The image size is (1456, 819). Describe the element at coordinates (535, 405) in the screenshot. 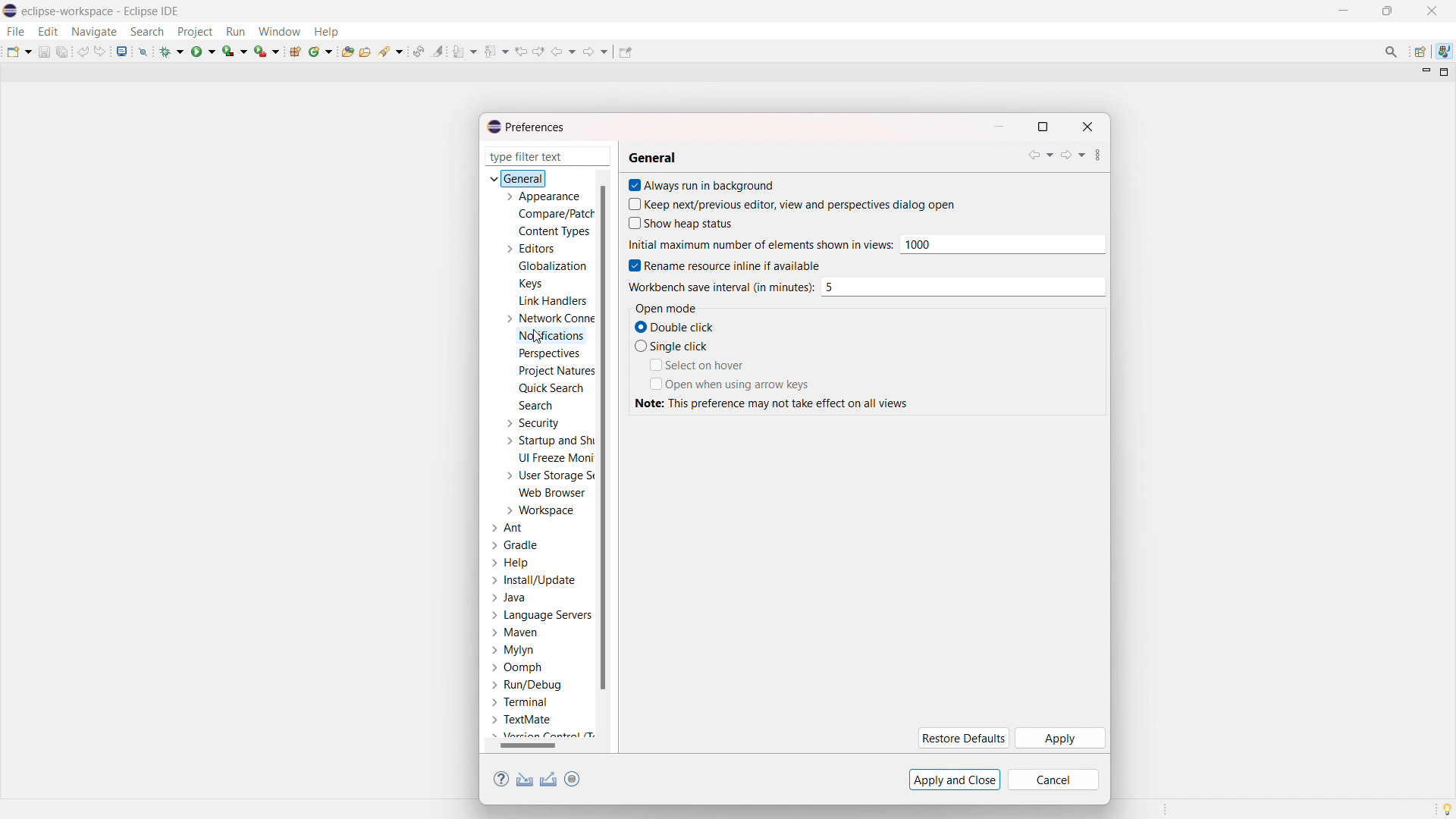

I see `search` at that location.